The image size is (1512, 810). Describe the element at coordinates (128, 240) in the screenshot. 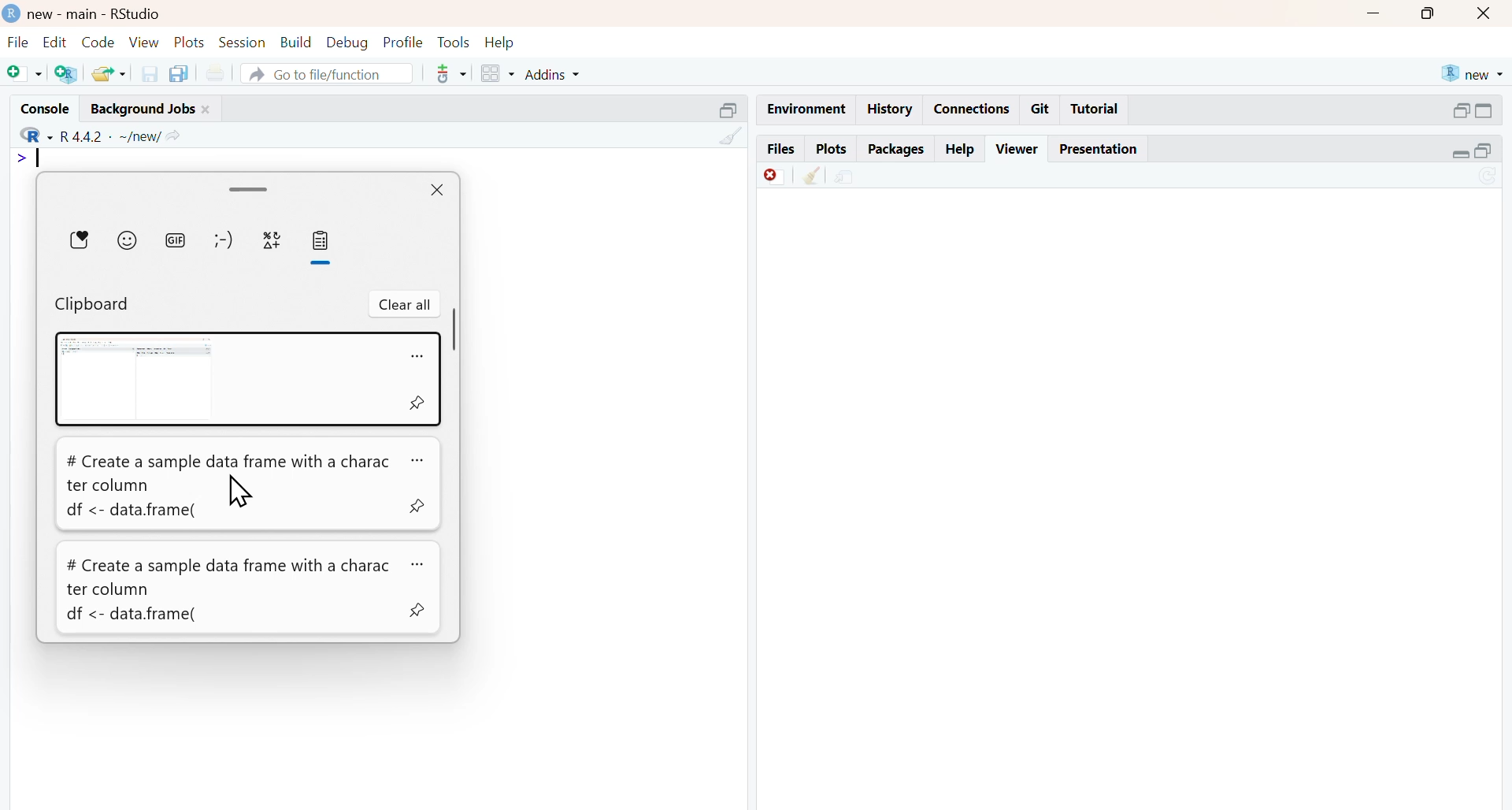

I see `emojis` at that location.